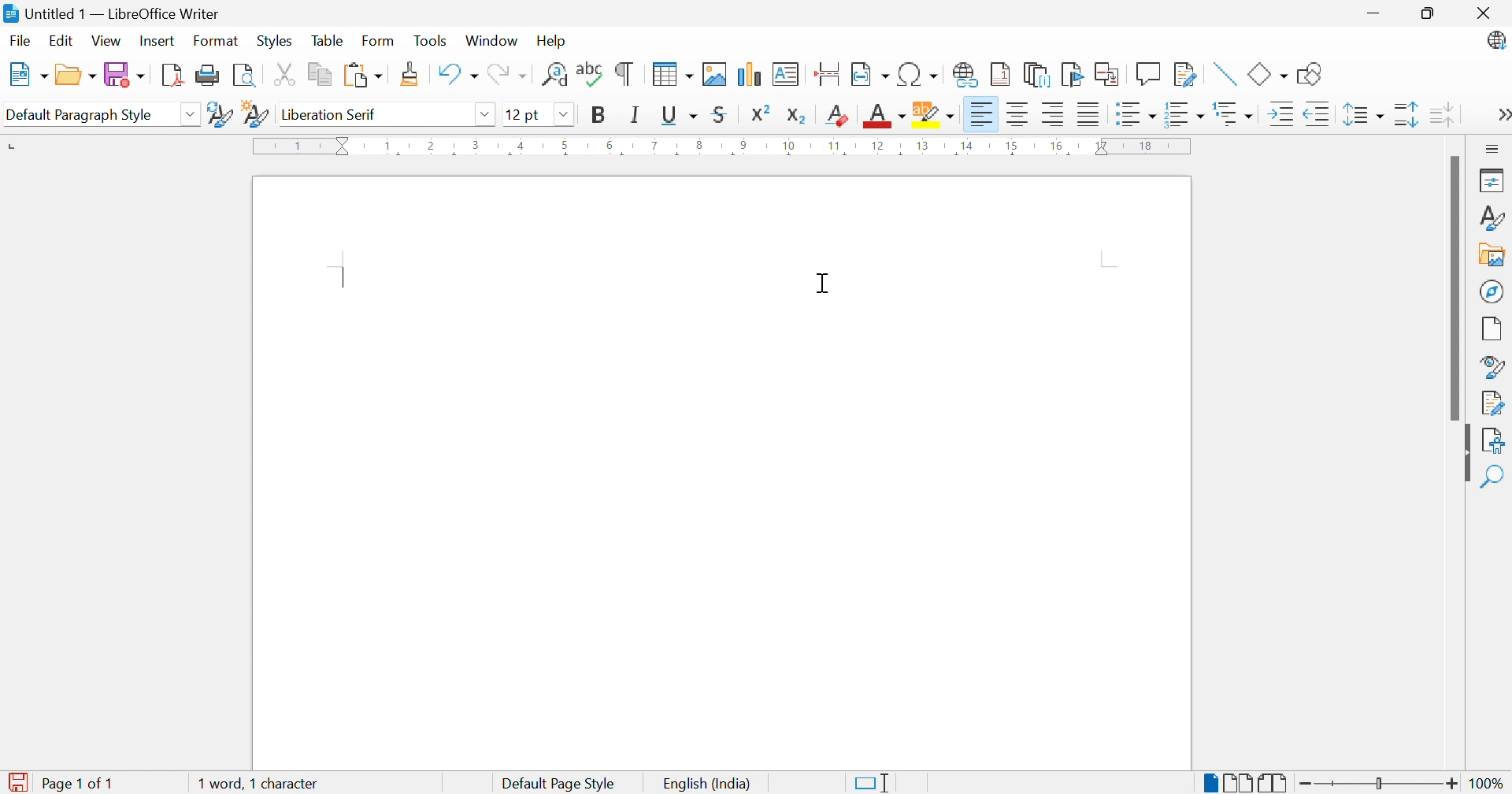 The width and height of the screenshot is (1512, 794). Describe the element at coordinates (1405, 113) in the screenshot. I see `Increase Paragraph Spacing` at that location.